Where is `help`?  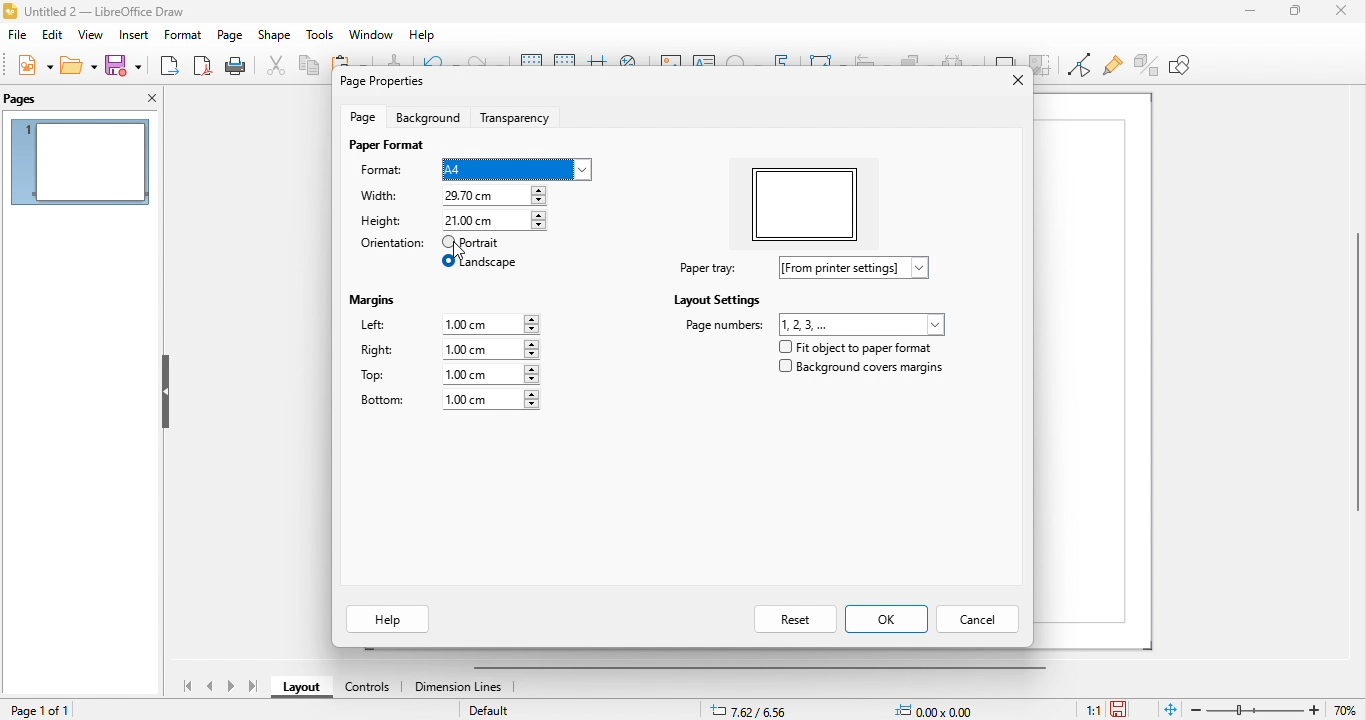 help is located at coordinates (424, 36).